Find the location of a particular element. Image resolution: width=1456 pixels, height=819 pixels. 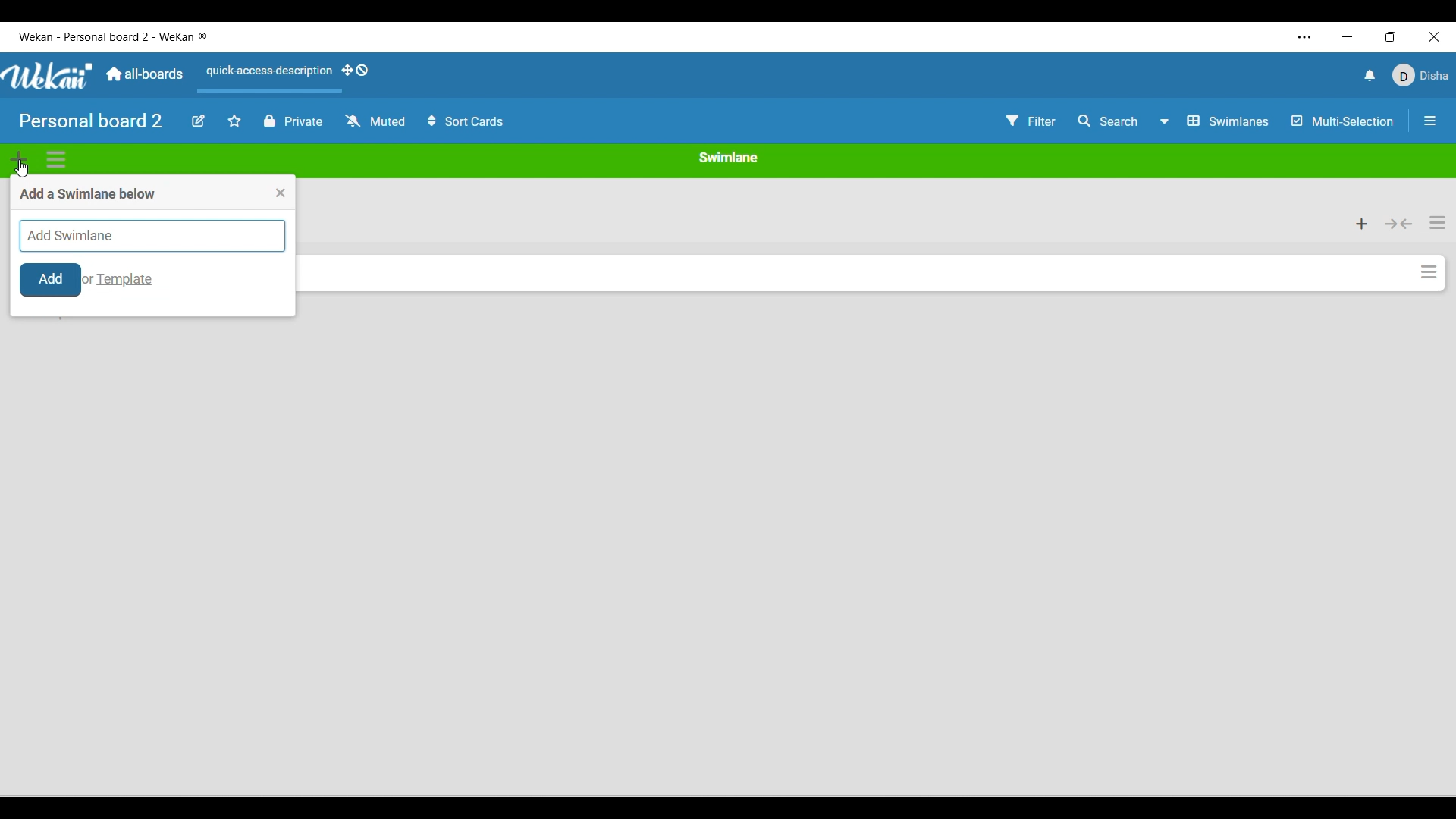

List actions is located at coordinates (1438, 223).